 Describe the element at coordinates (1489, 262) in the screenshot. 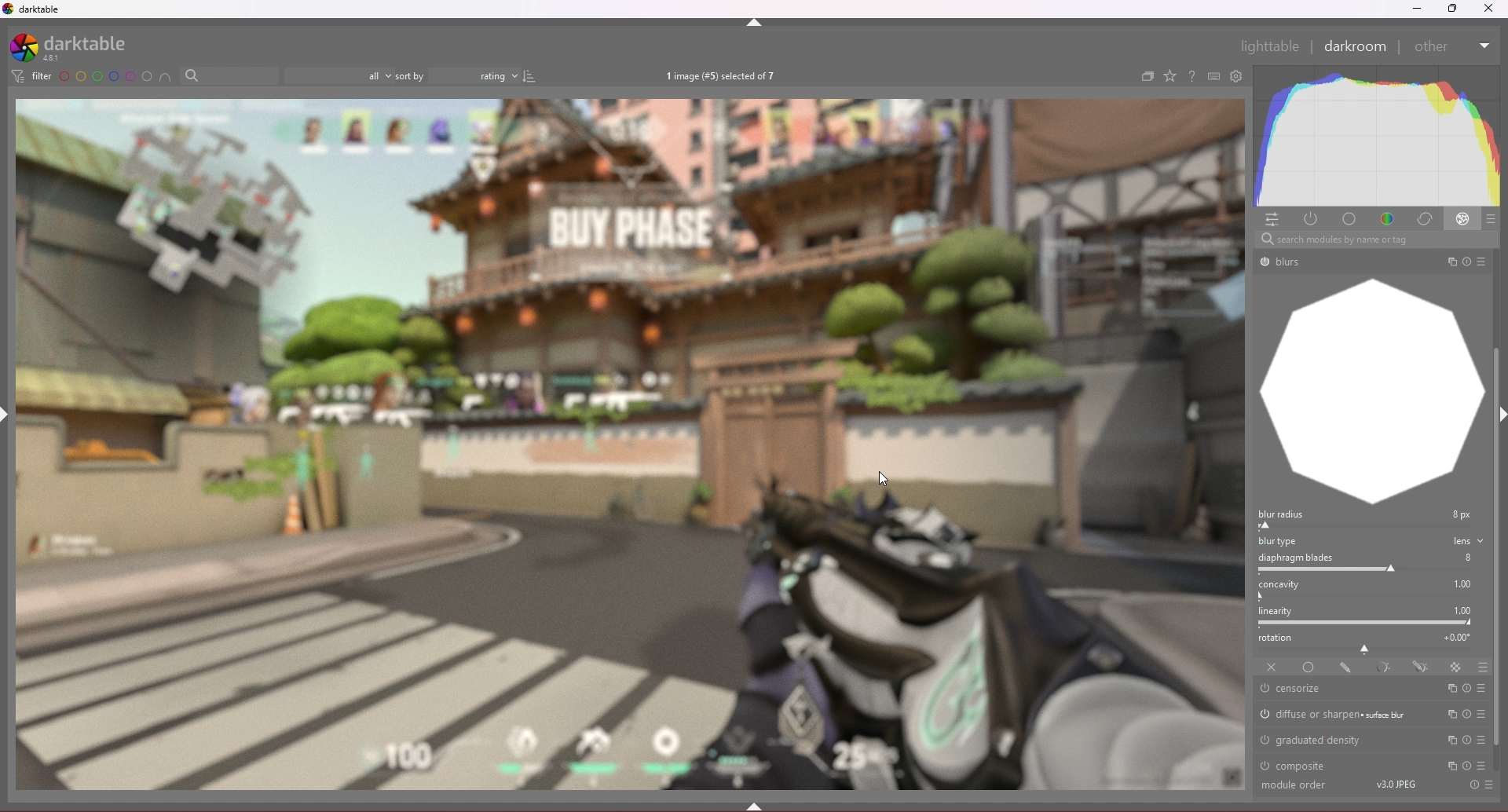

I see `` at that location.